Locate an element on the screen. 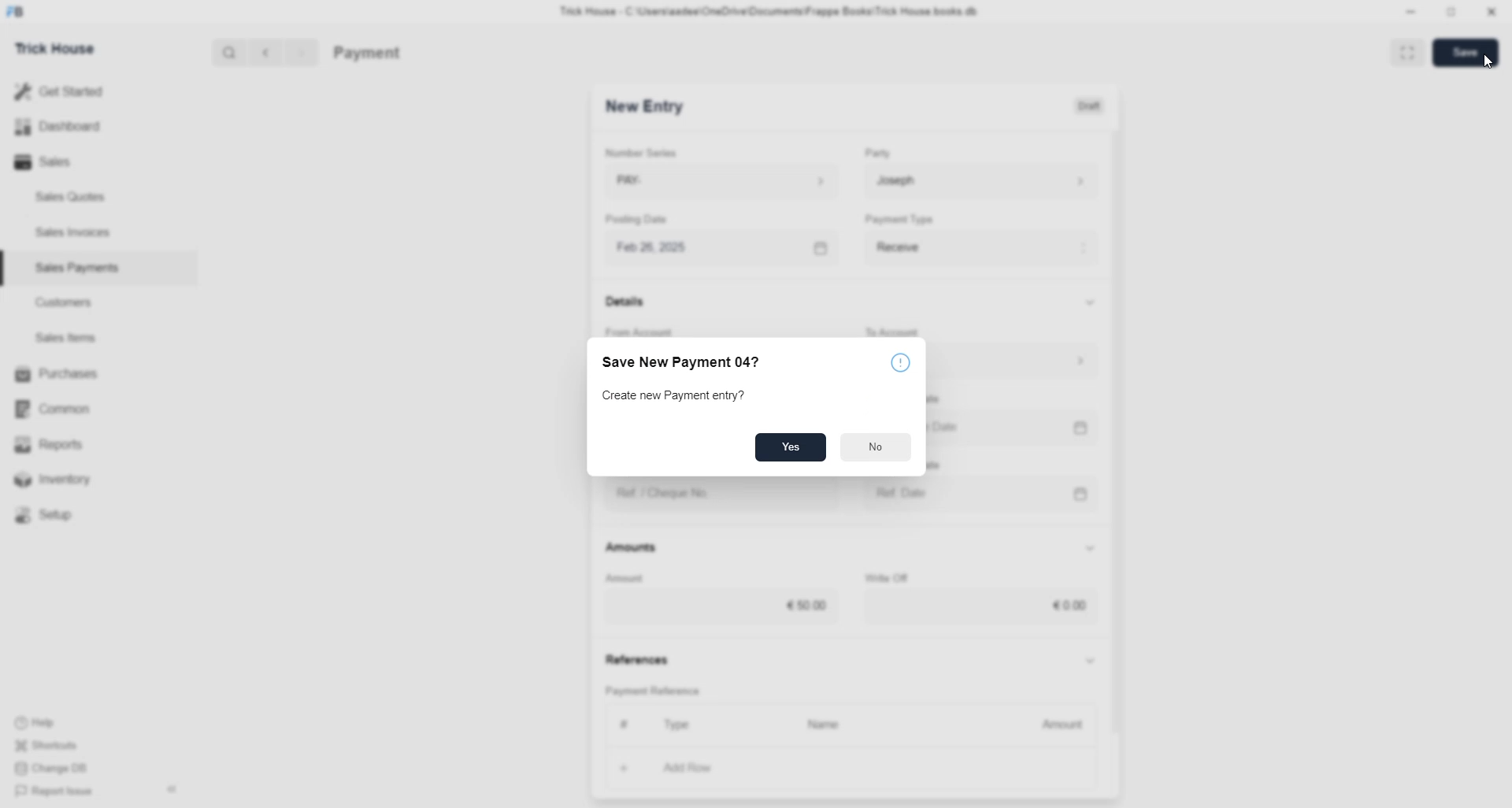  Ref. / Cheque No. is located at coordinates (724, 495).